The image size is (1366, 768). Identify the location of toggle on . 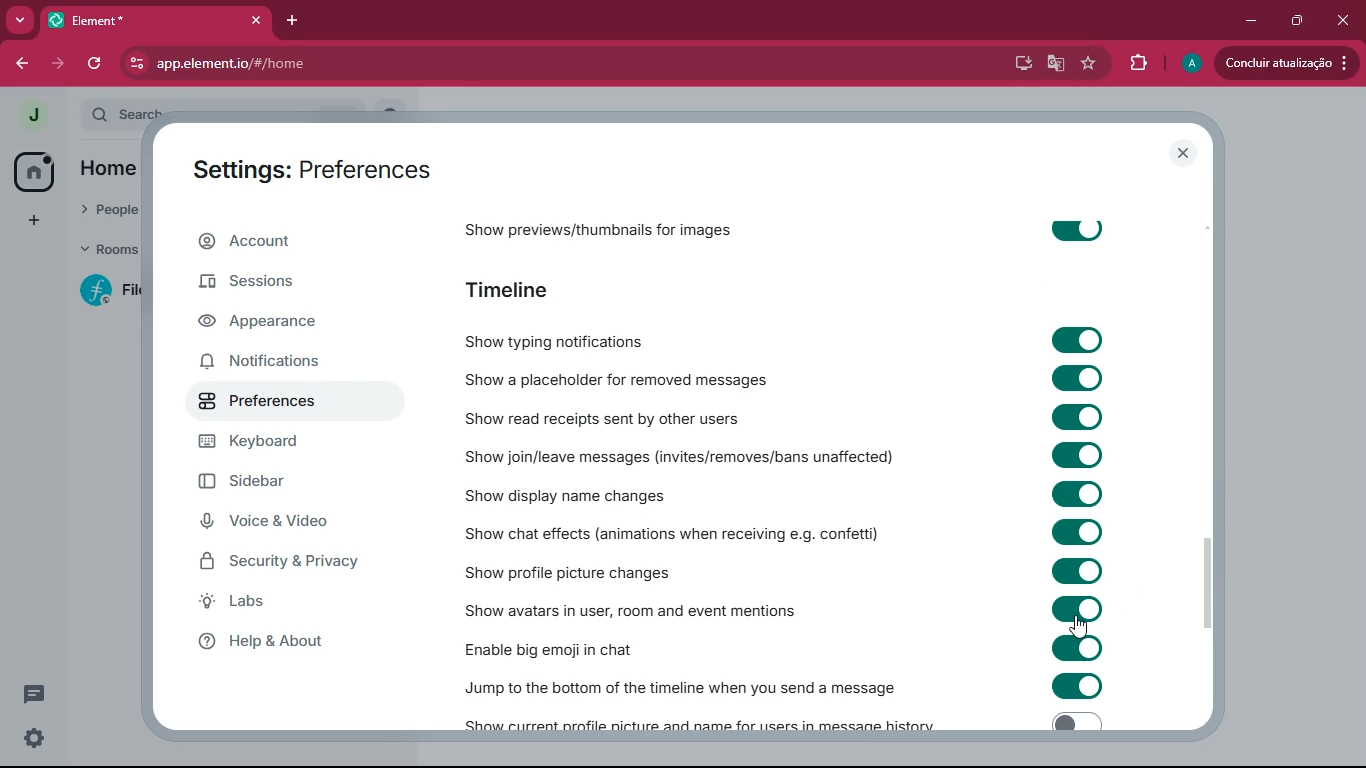
(1081, 455).